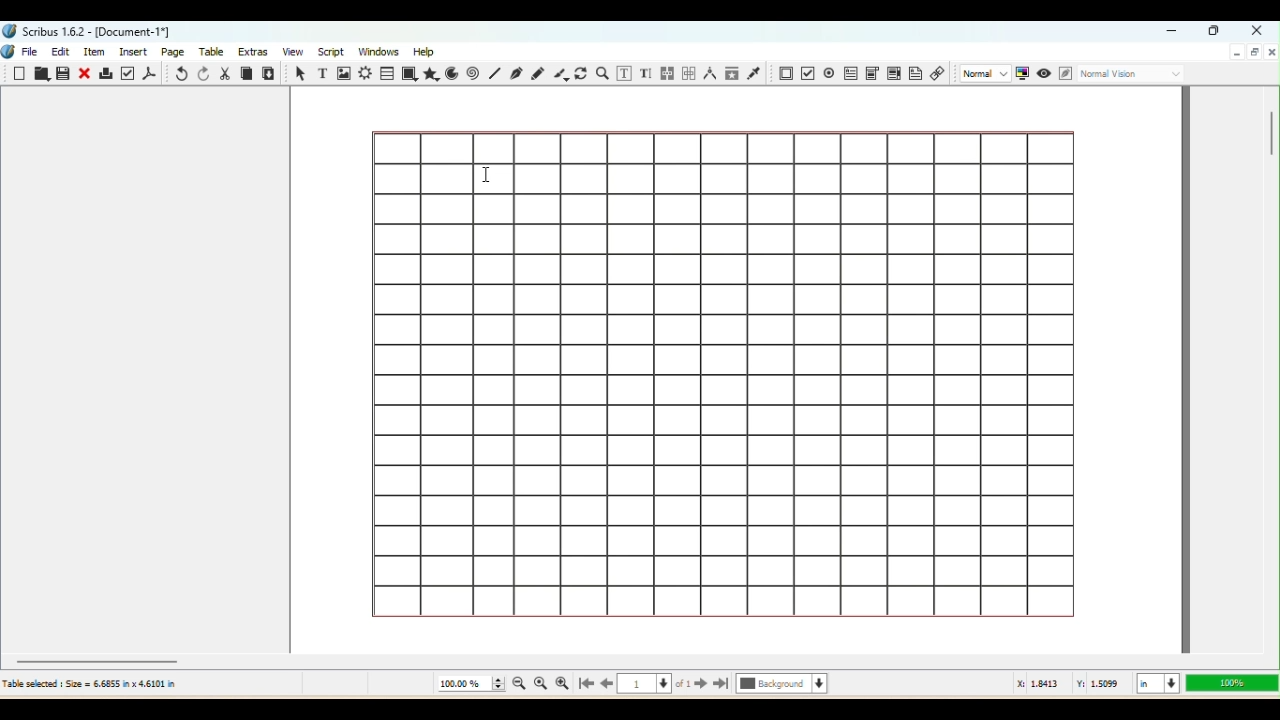 The width and height of the screenshot is (1280, 720). I want to click on Select the visual appearance of the display, so click(1133, 75).